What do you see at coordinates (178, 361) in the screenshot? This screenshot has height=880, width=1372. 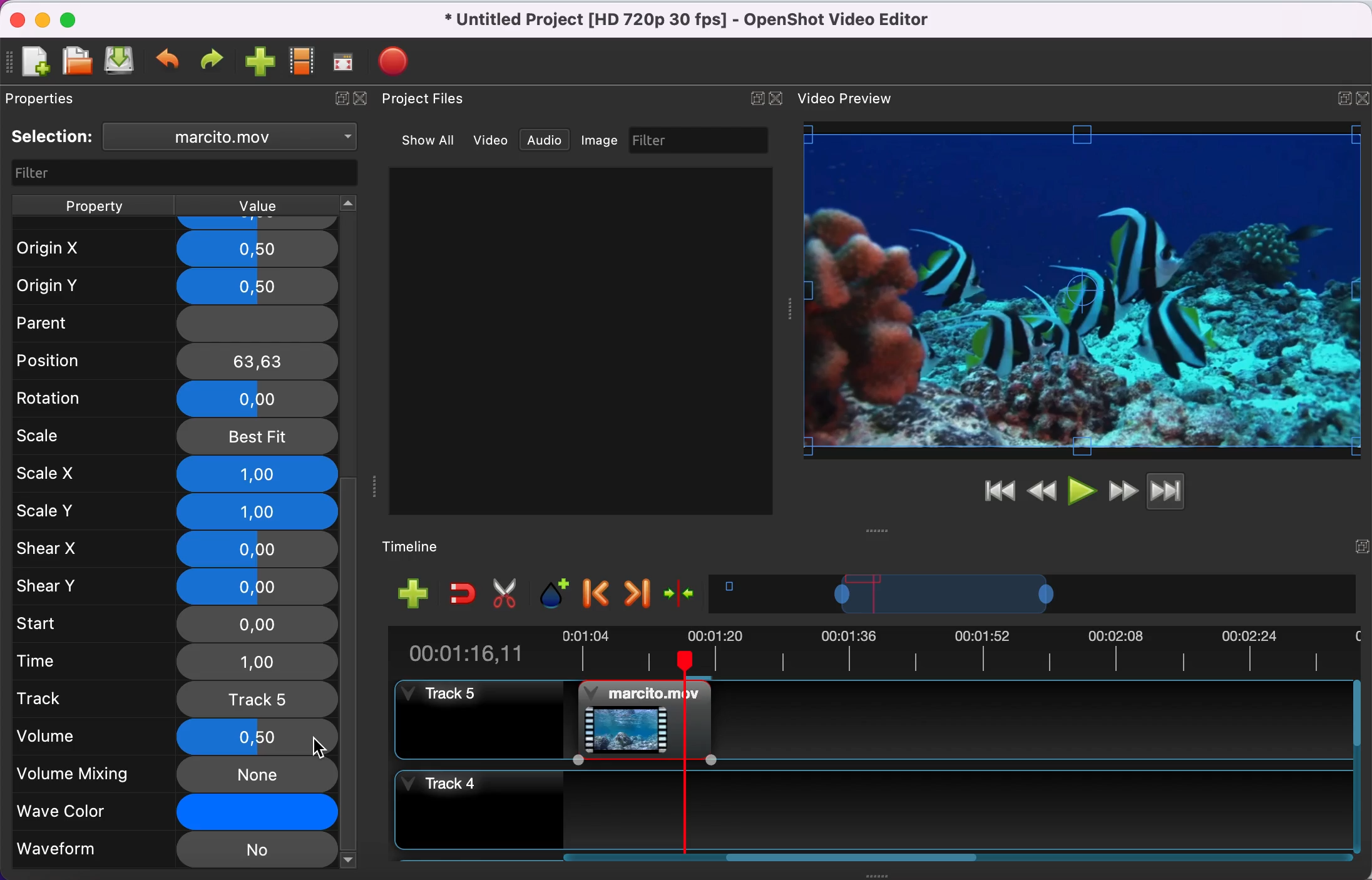 I see `position 63,63` at bounding box center [178, 361].